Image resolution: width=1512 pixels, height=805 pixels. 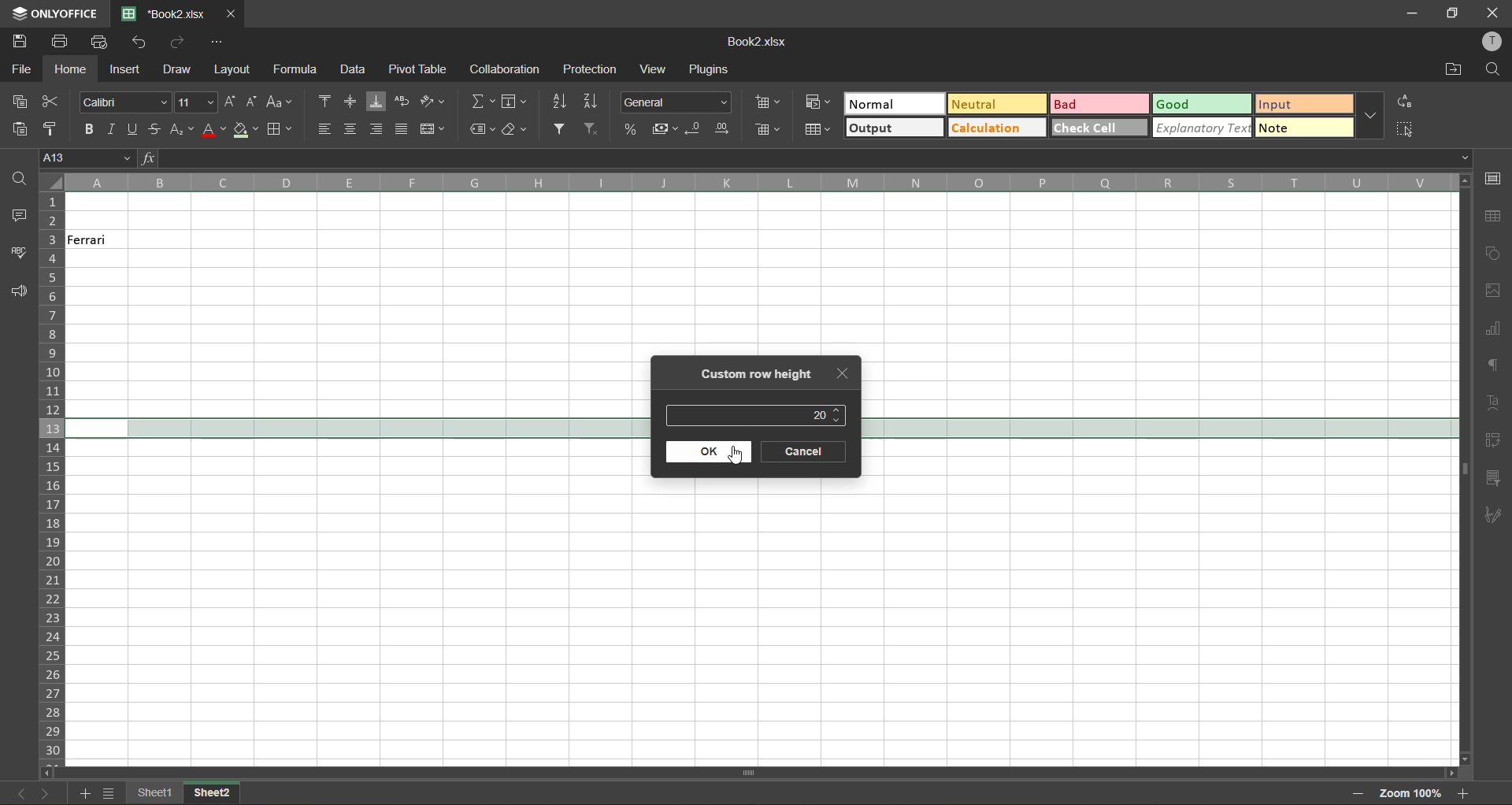 What do you see at coordinates (1490, 42) in the screenshot?
I see `profile` at bounding box center [1490, 42].